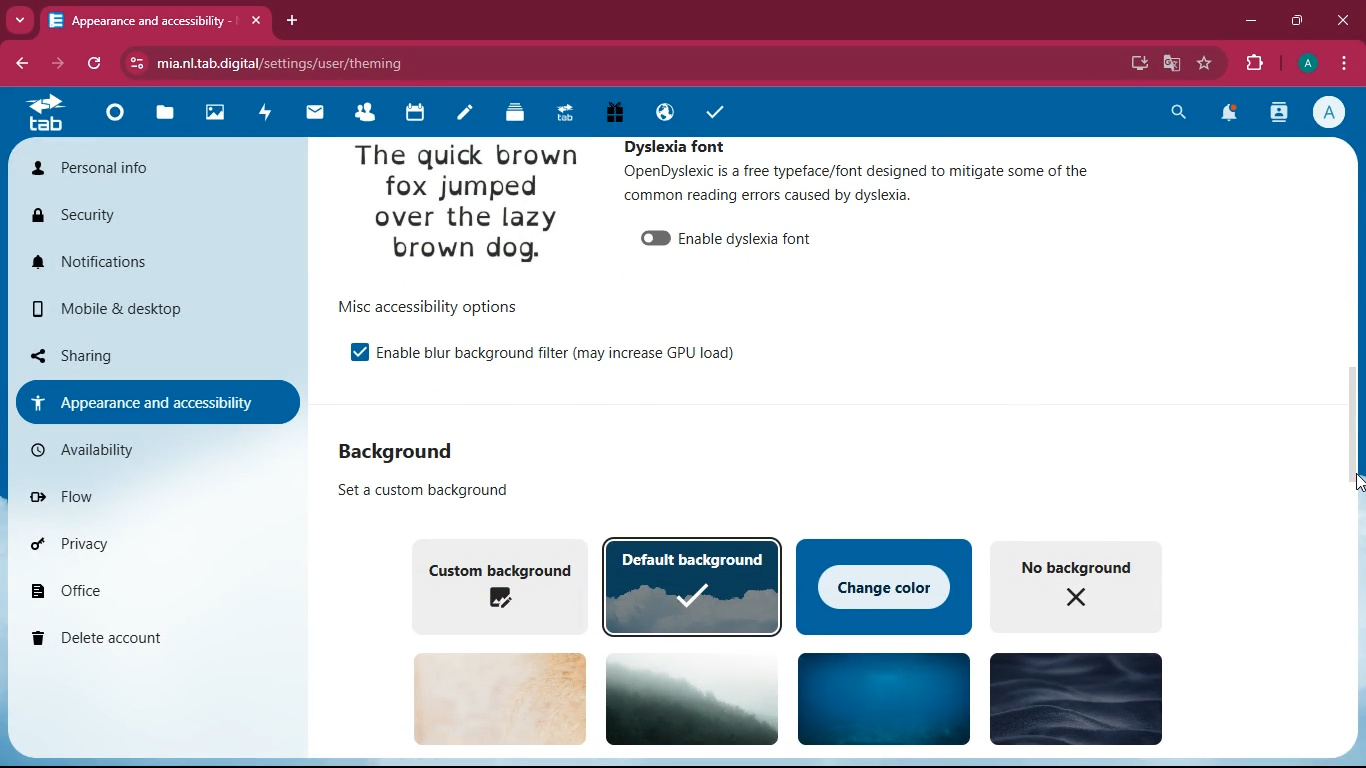  Describe the element at coordinates (120, 493) in the screenshot. I see `flow` at that location.